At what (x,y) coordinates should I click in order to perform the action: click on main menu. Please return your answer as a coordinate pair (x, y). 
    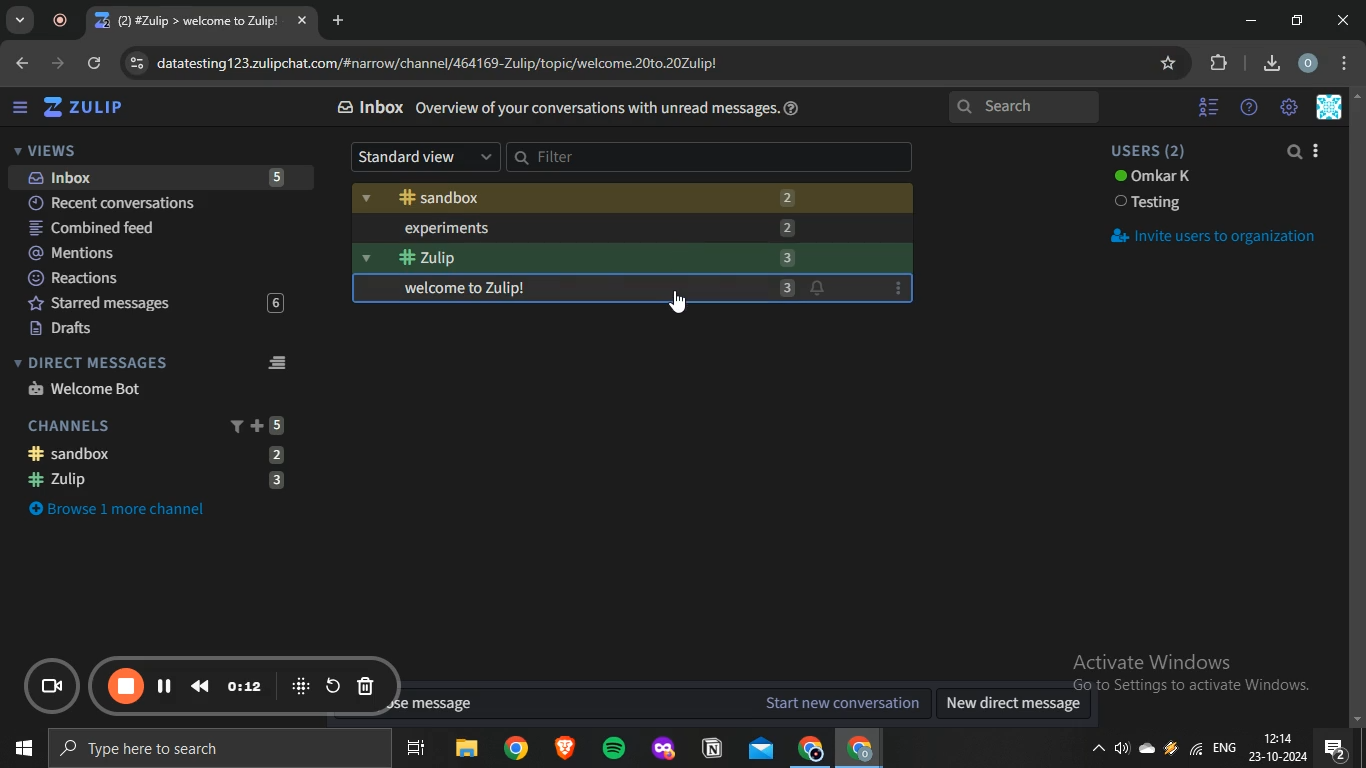
    Looking at the image, I should click on (1290, 108).